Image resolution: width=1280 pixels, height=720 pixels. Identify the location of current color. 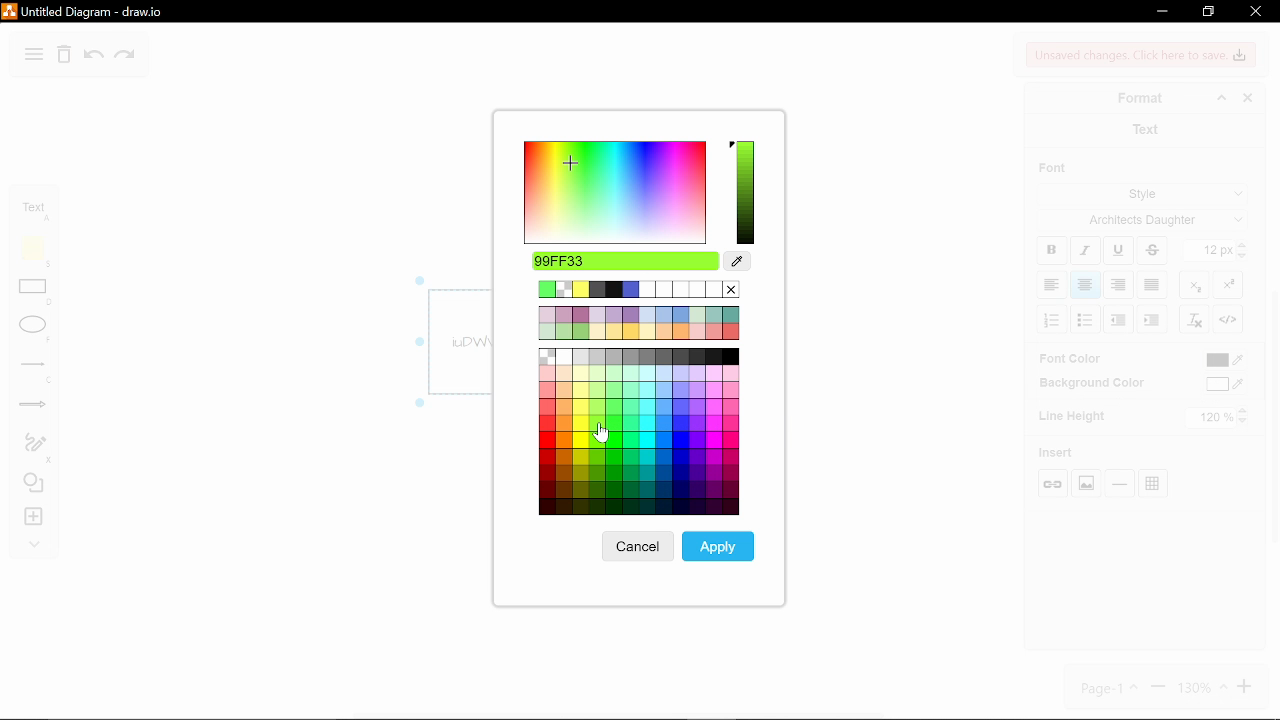
(642, 291).